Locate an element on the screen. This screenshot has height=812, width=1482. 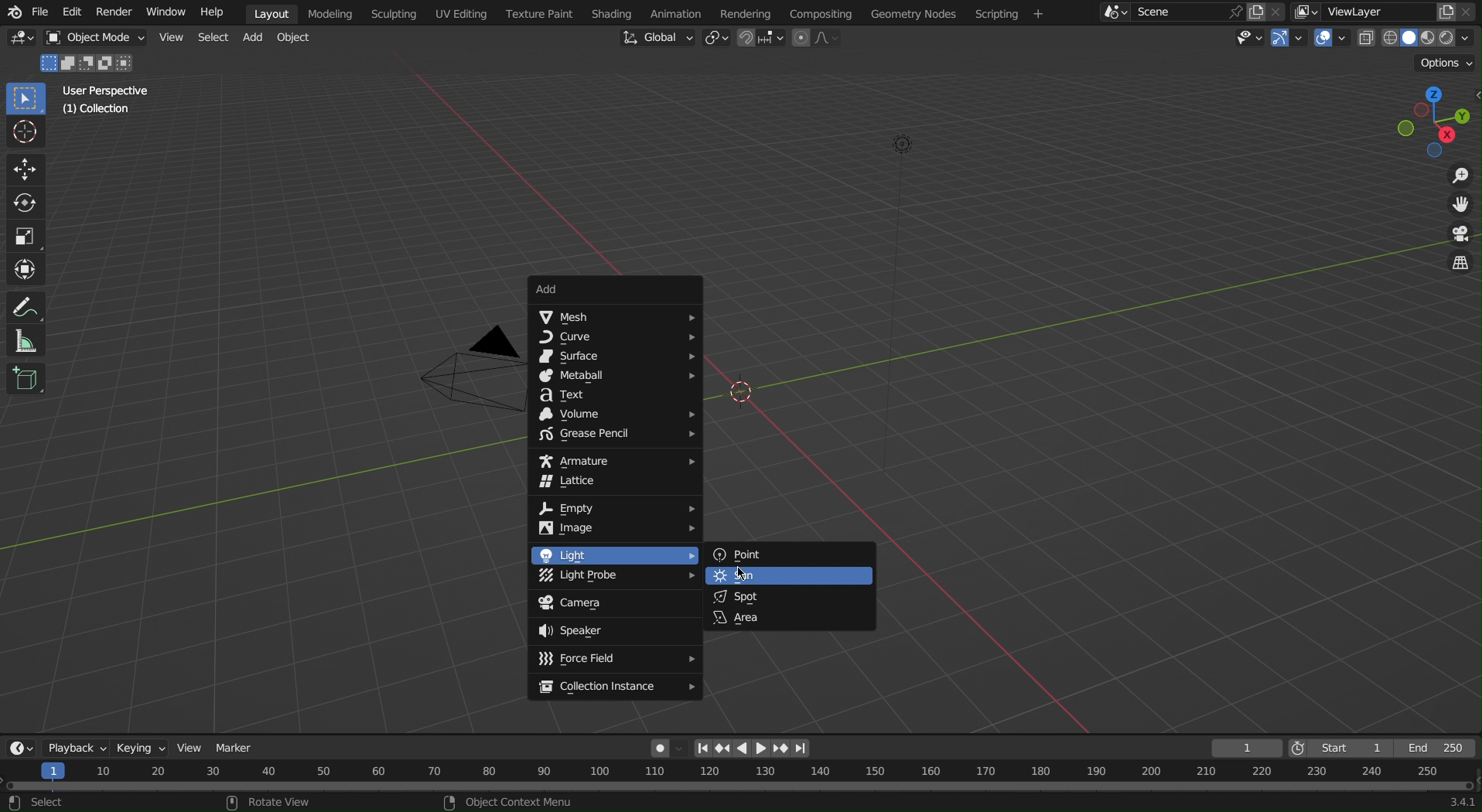
Edit is located at coordinates (71, 13).